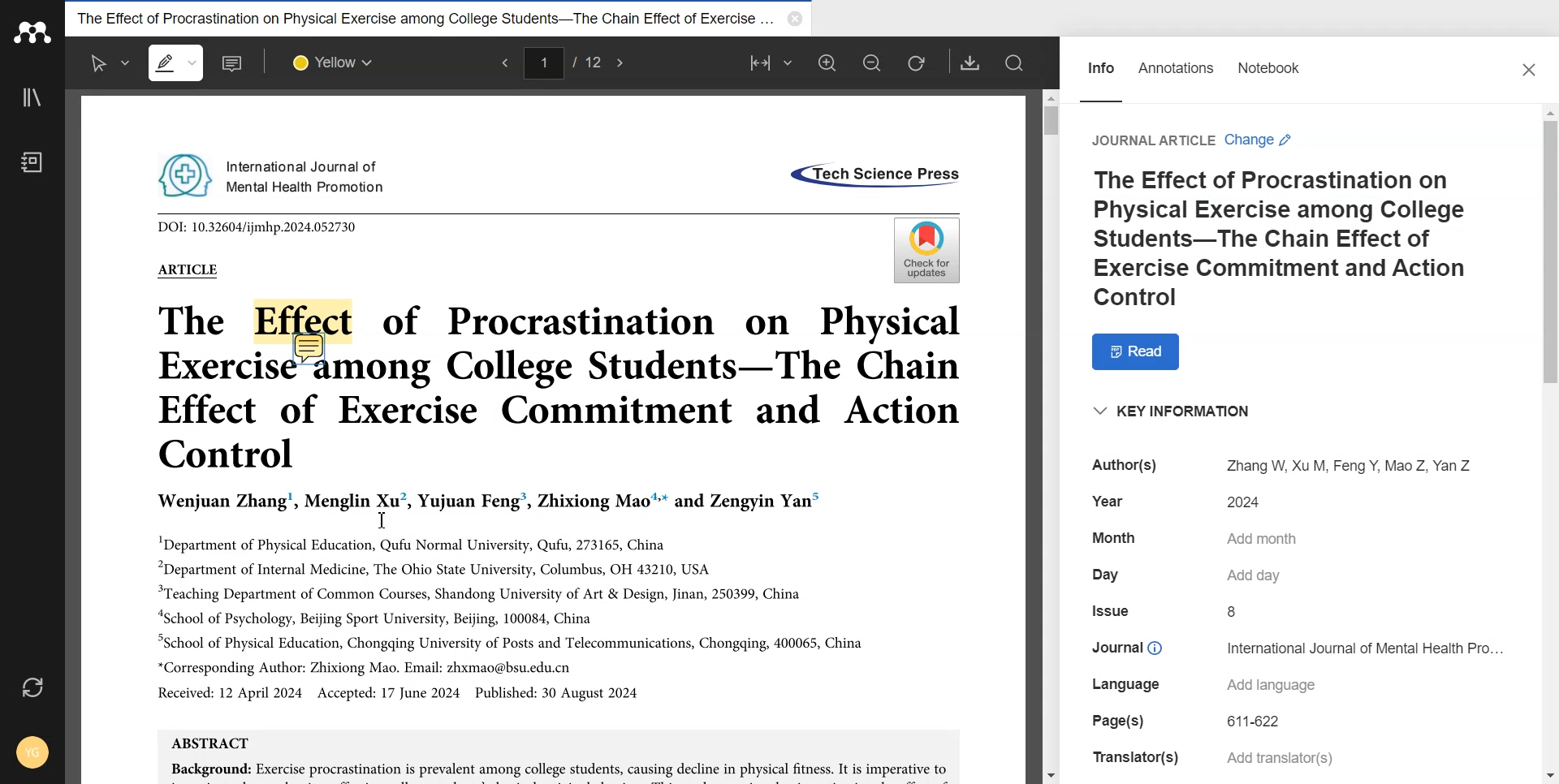 This screenshot has height=784, width=1559. What do you see at coordinates (235, 63) in the screenshot?
I see `Add note` at bounding box center [235, 63].